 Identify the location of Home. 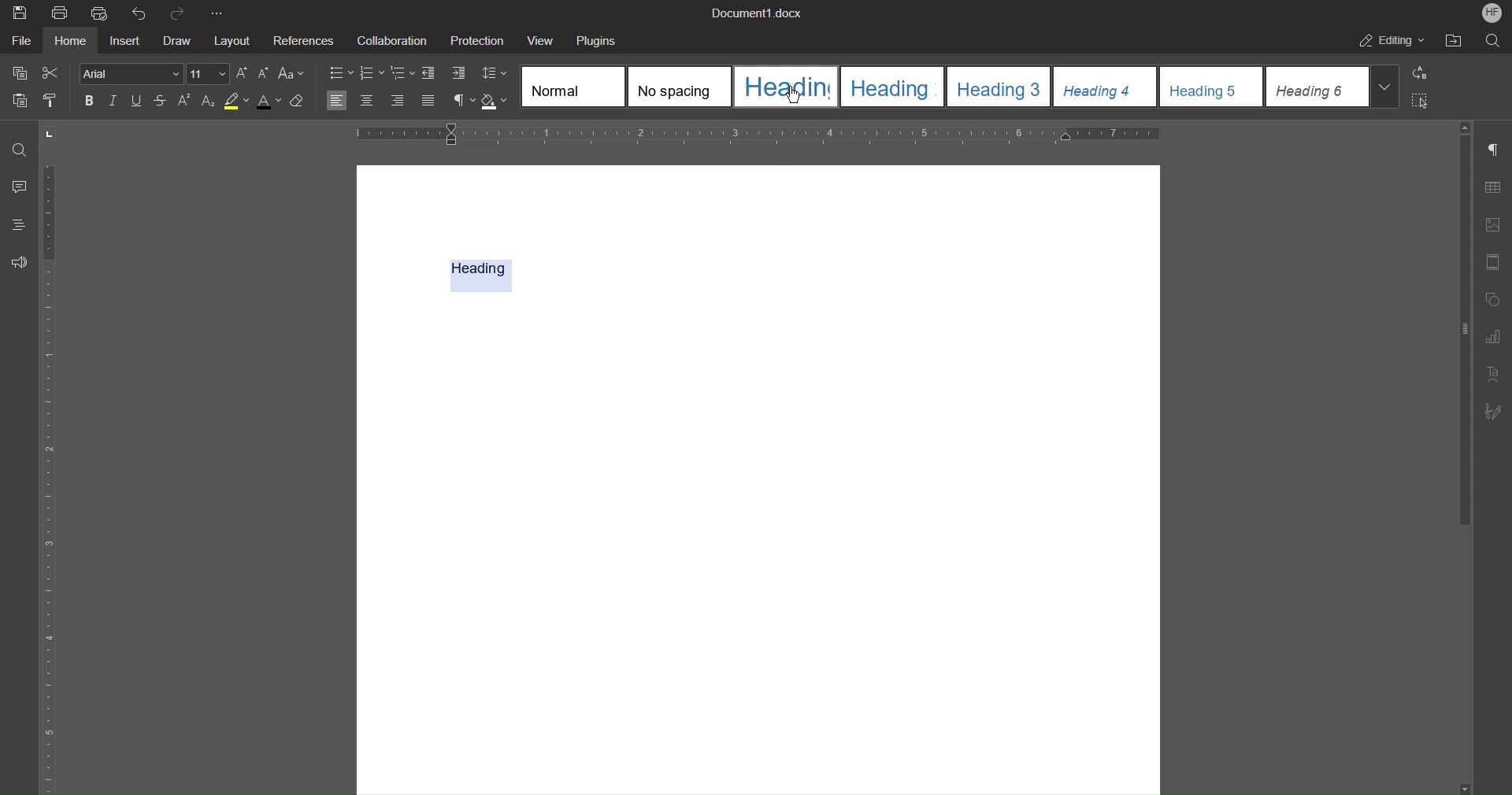
(73, 44).